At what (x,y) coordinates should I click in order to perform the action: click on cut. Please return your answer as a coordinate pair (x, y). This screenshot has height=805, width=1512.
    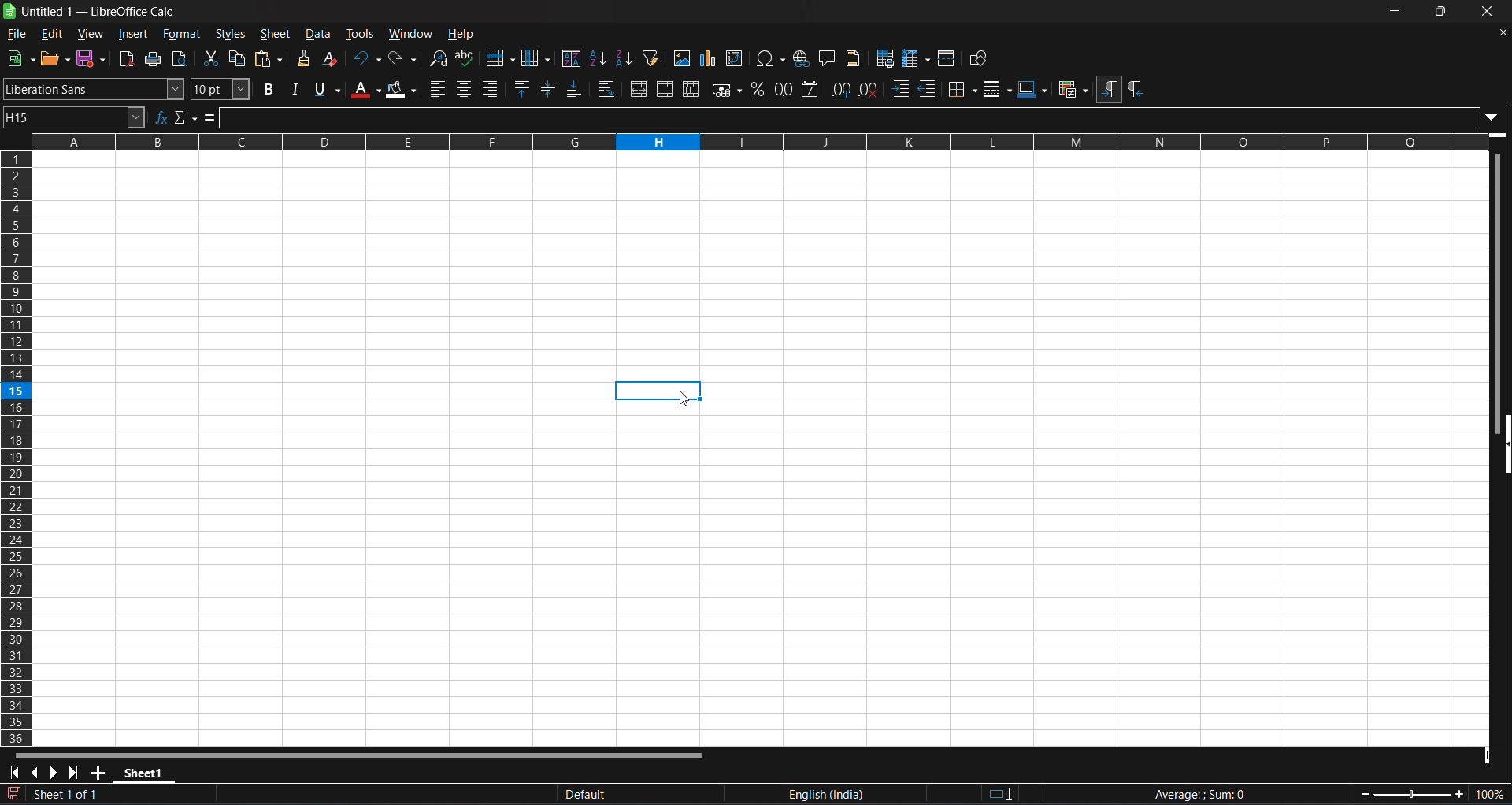
    Looking at the image, I should click on (210, 58).